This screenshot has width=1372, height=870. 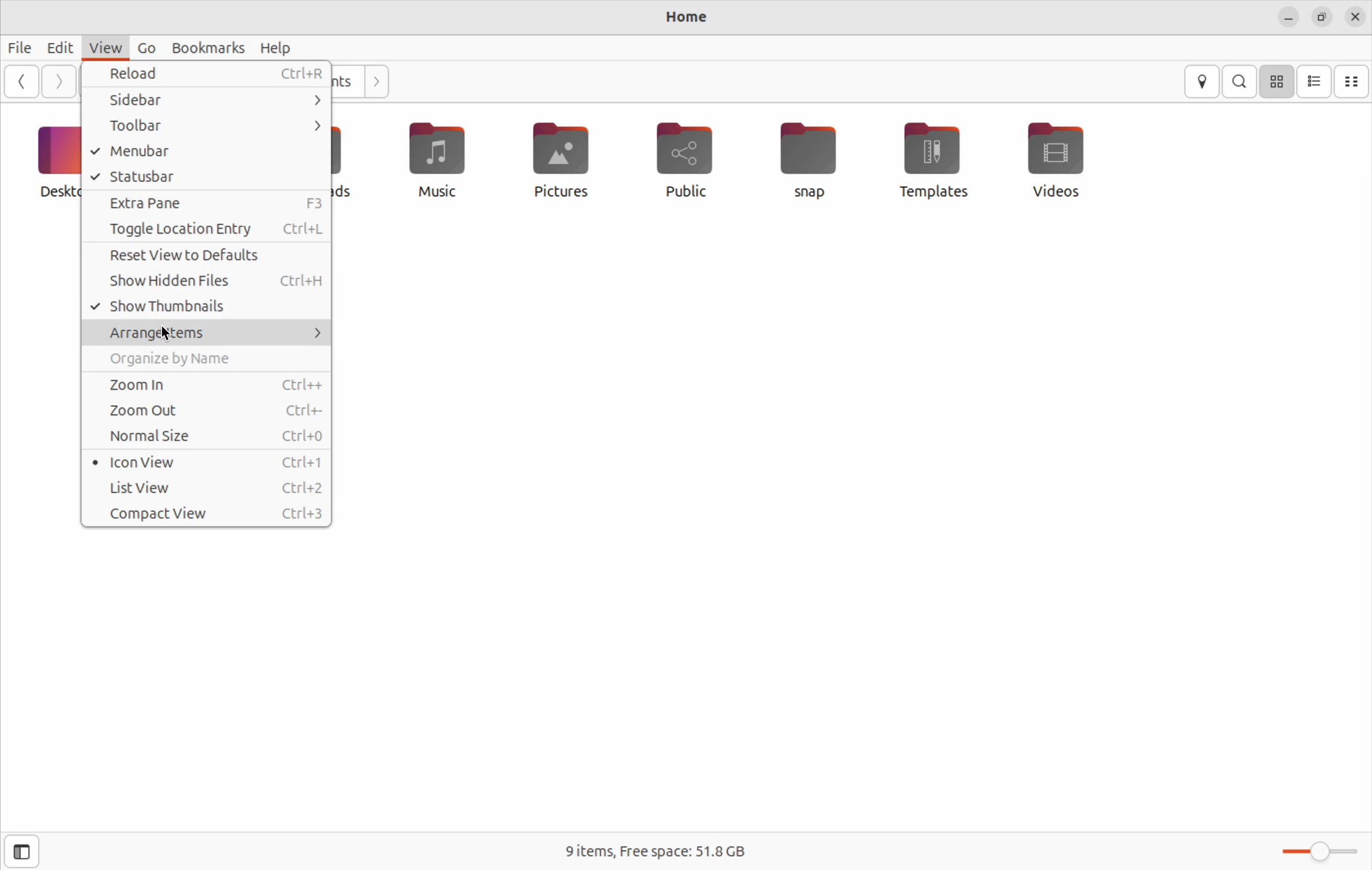 I want to click on toggle zoom, so click(x=1313, y=850).